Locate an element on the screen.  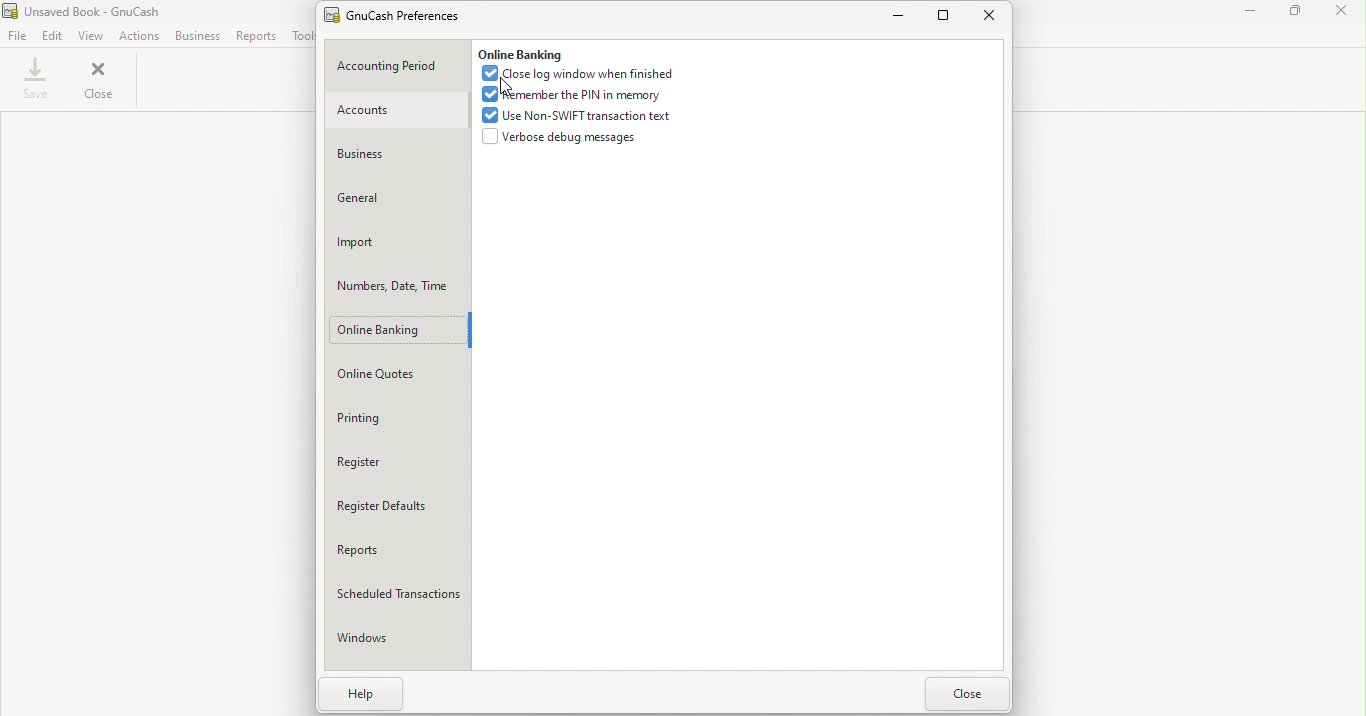
Close is located at coordinates (101, 81).